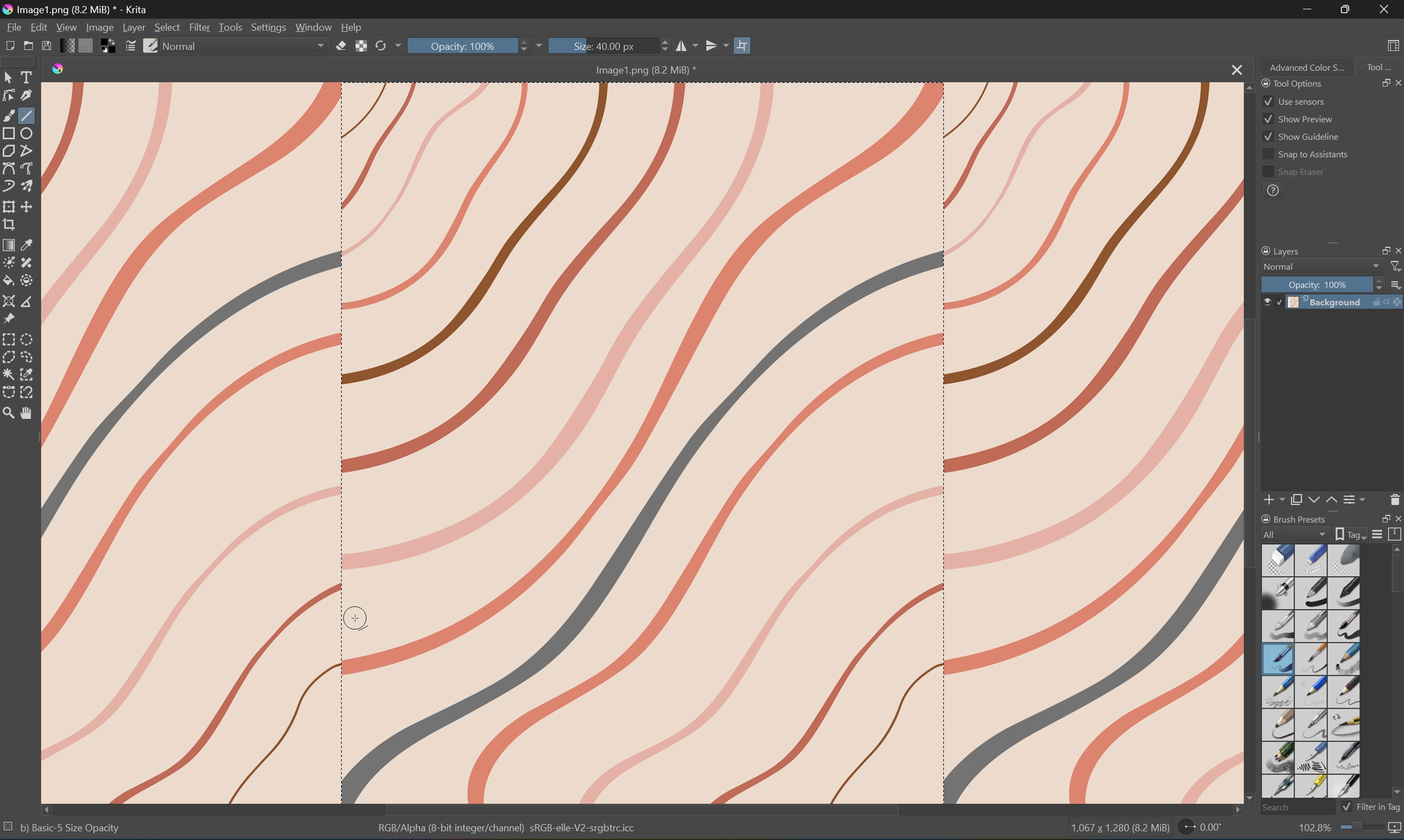 Image resolution: width=1404 pixels, height=840 pixels. Describe the element at coordinates (508, 830) in the screenshot. I see `RGB Alpha (8-bit integer/channel) sRGB-elle-V2-srgbcicc` at that location.